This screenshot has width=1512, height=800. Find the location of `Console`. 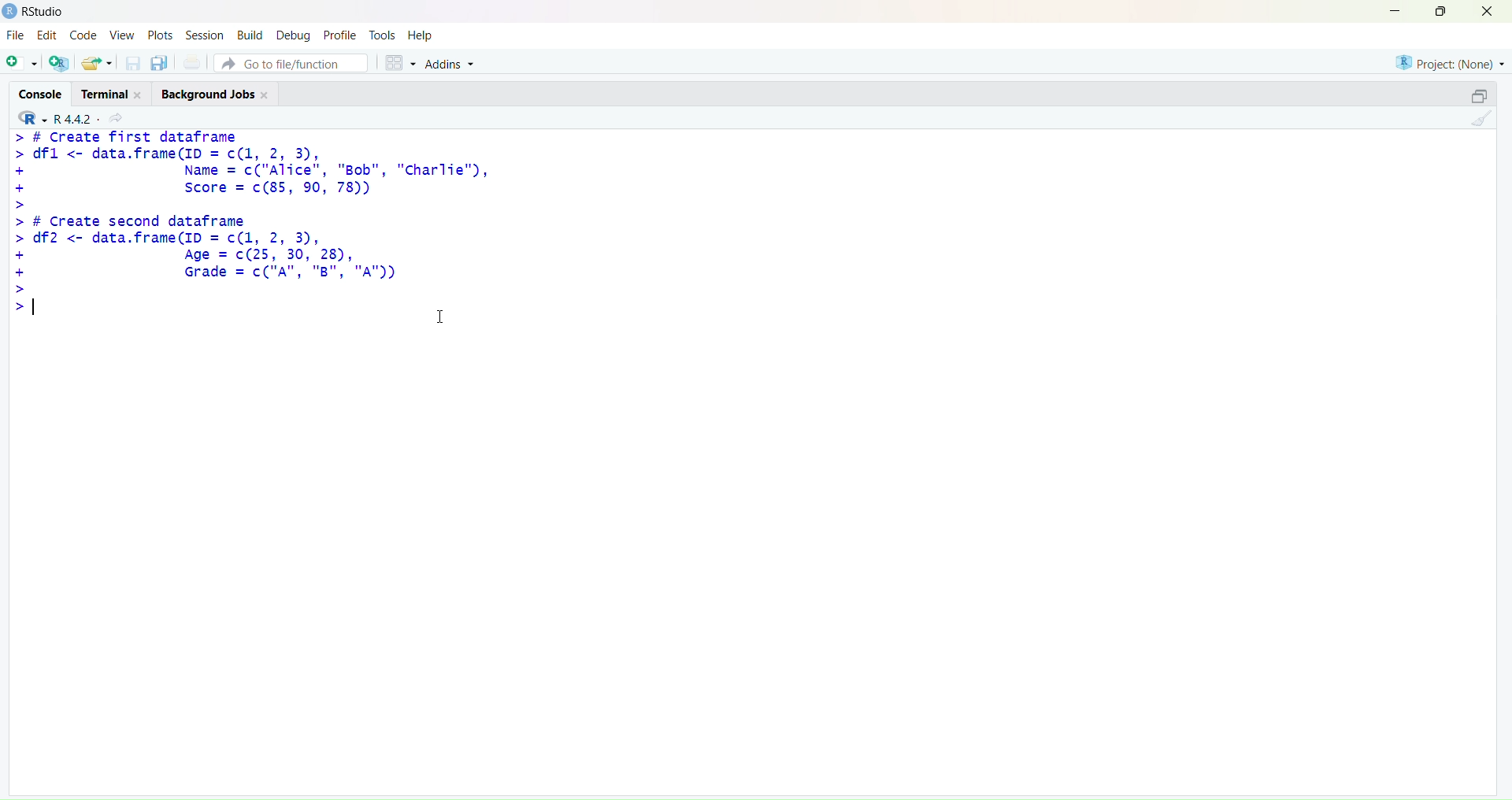

Console is located at coordinates (41, 93).